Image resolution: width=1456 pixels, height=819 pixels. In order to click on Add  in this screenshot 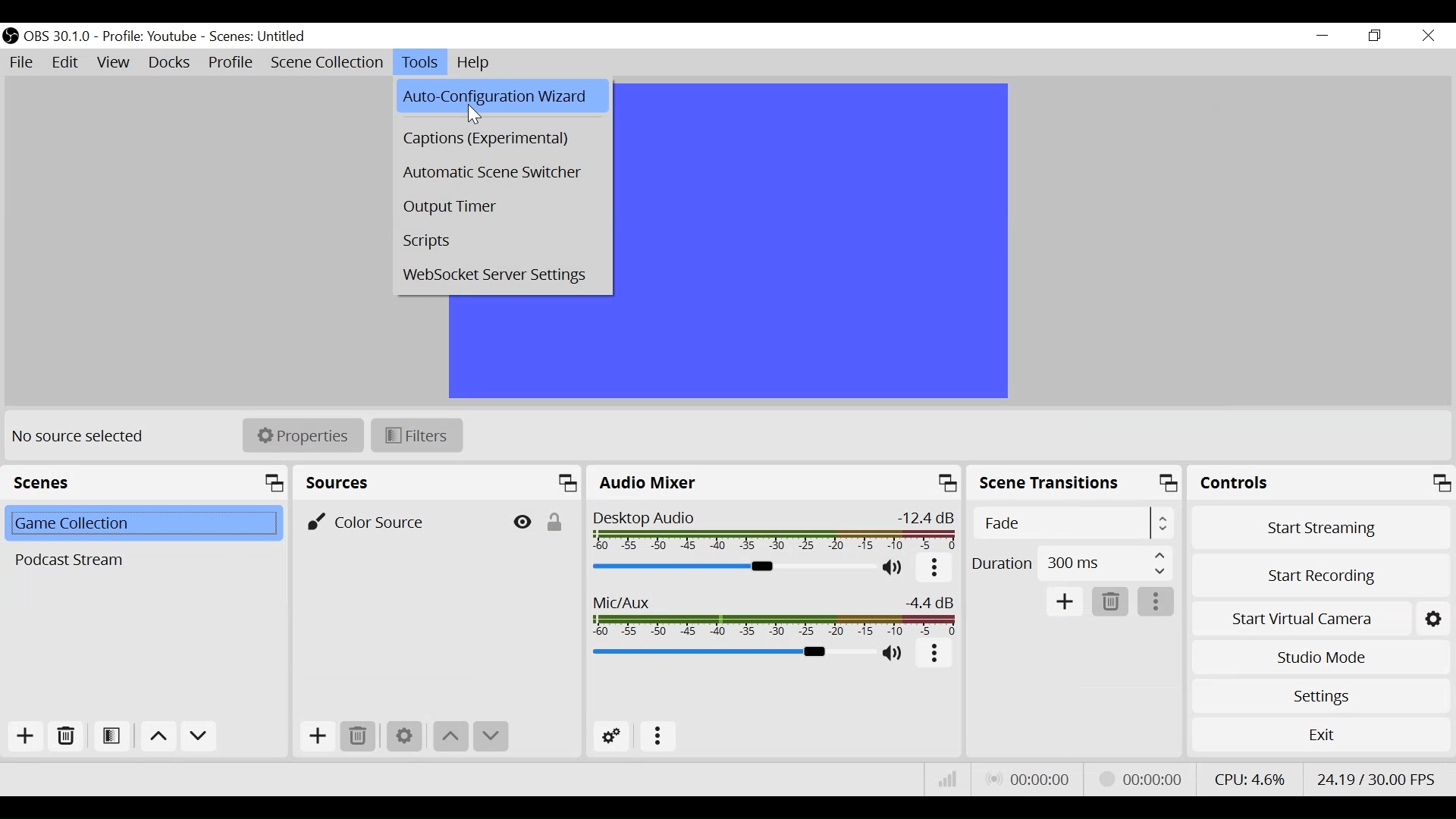, I will do `click(318, 738)`.